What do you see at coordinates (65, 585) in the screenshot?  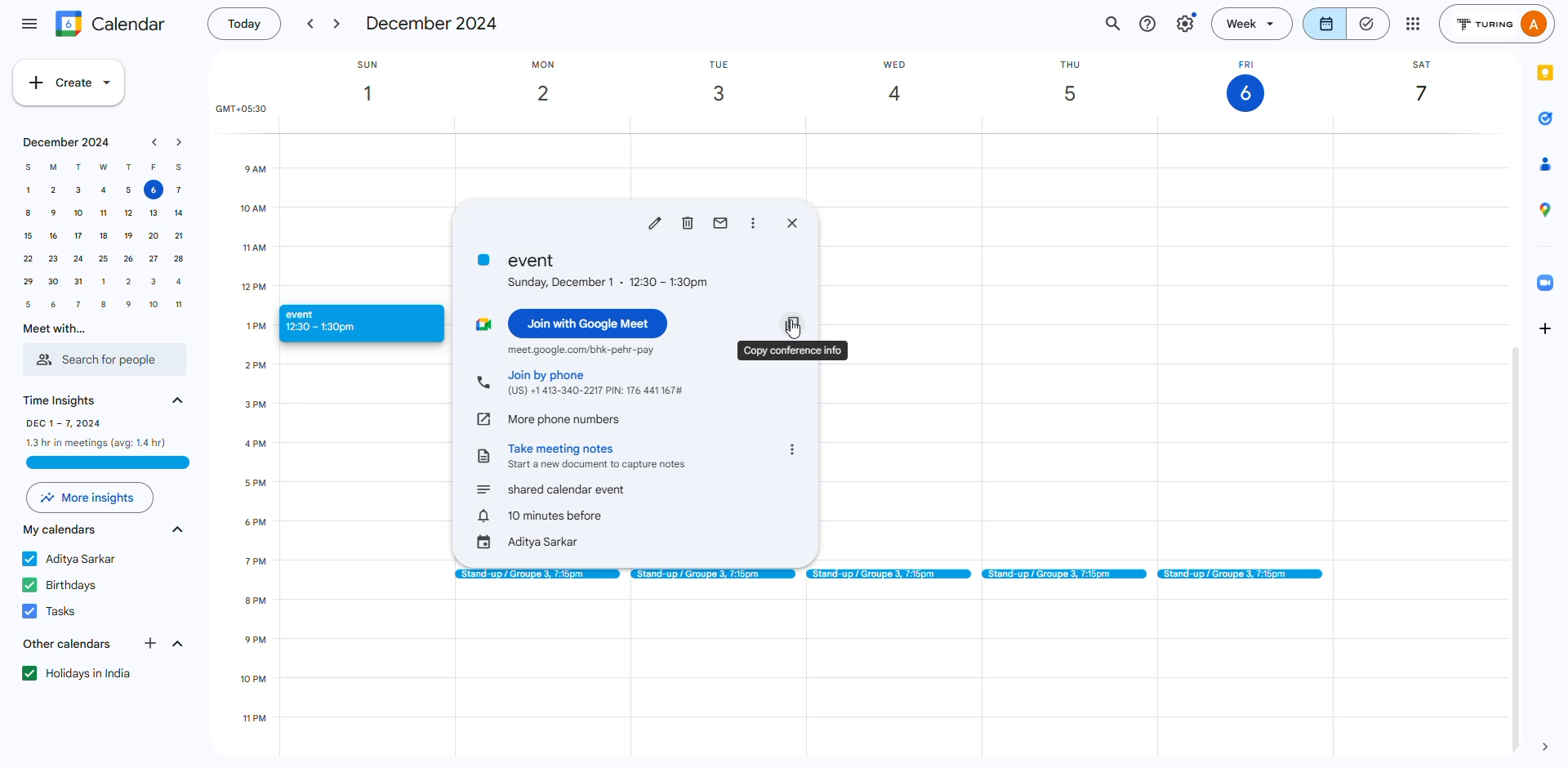 I see `birthday` at bounding box center [65, 585].